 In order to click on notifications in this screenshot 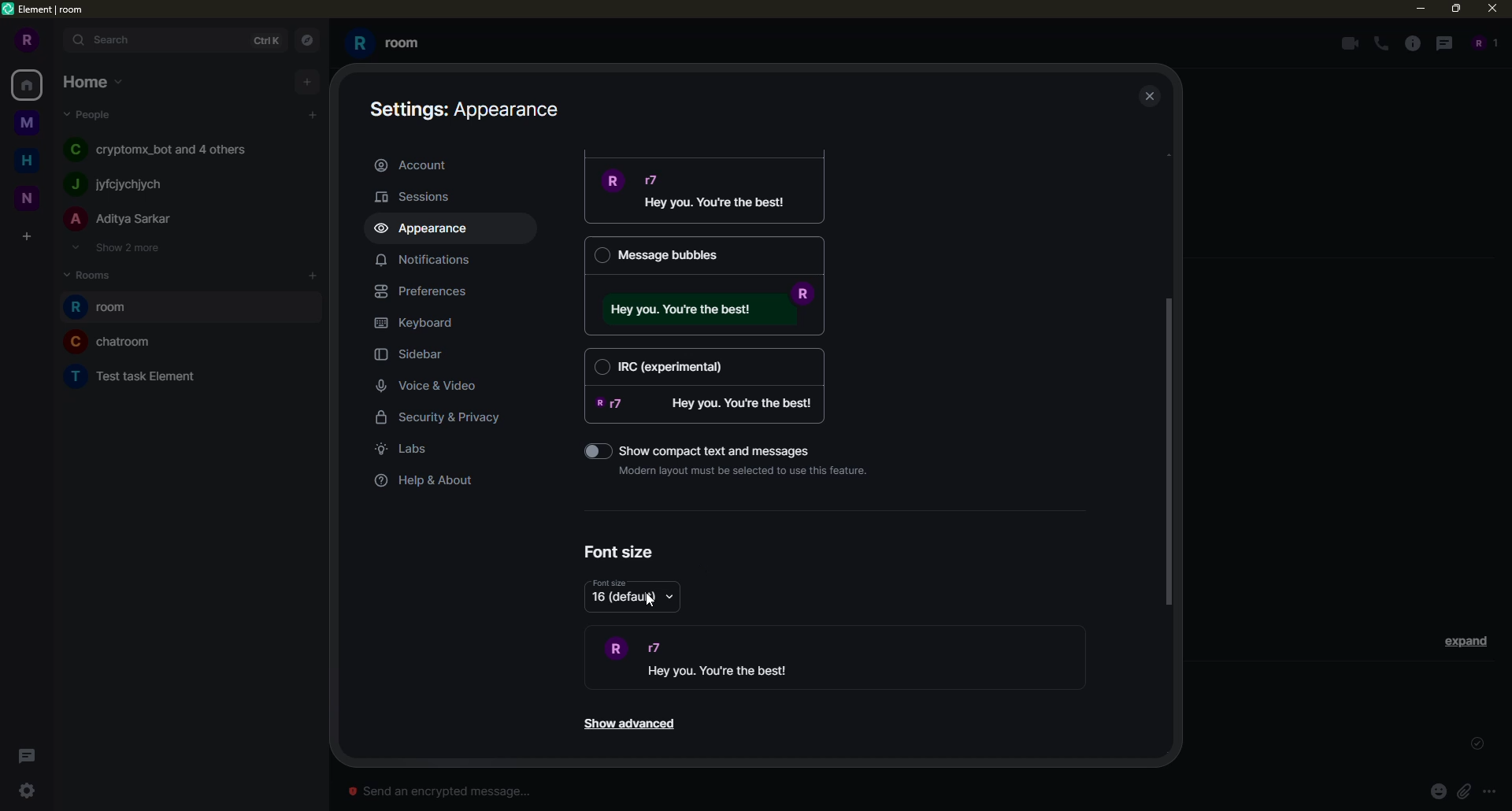, I will do `click(422, 259)`.